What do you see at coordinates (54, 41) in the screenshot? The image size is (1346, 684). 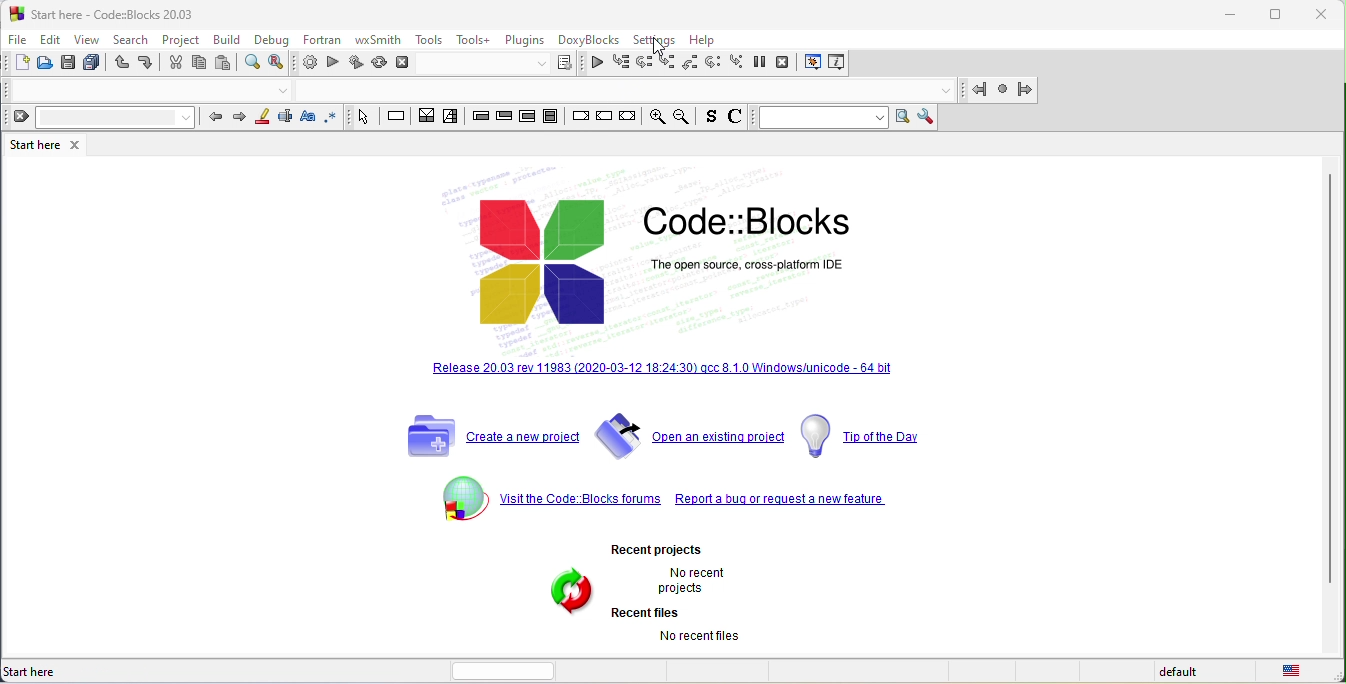 I see `edit` at bounding box center [54, 41].